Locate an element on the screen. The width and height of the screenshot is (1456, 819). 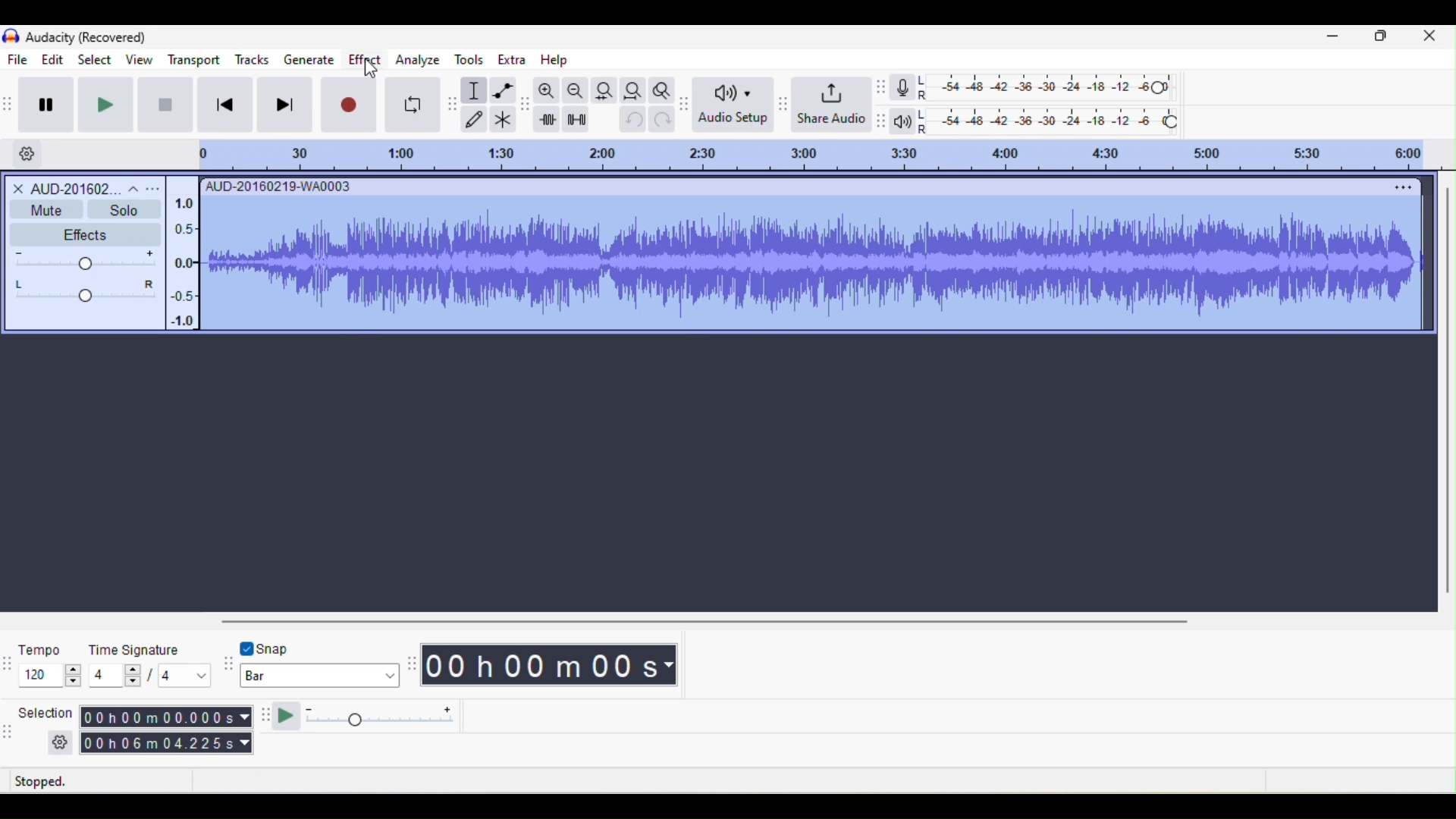
zoom toggle is located at coordinates (662, 89).